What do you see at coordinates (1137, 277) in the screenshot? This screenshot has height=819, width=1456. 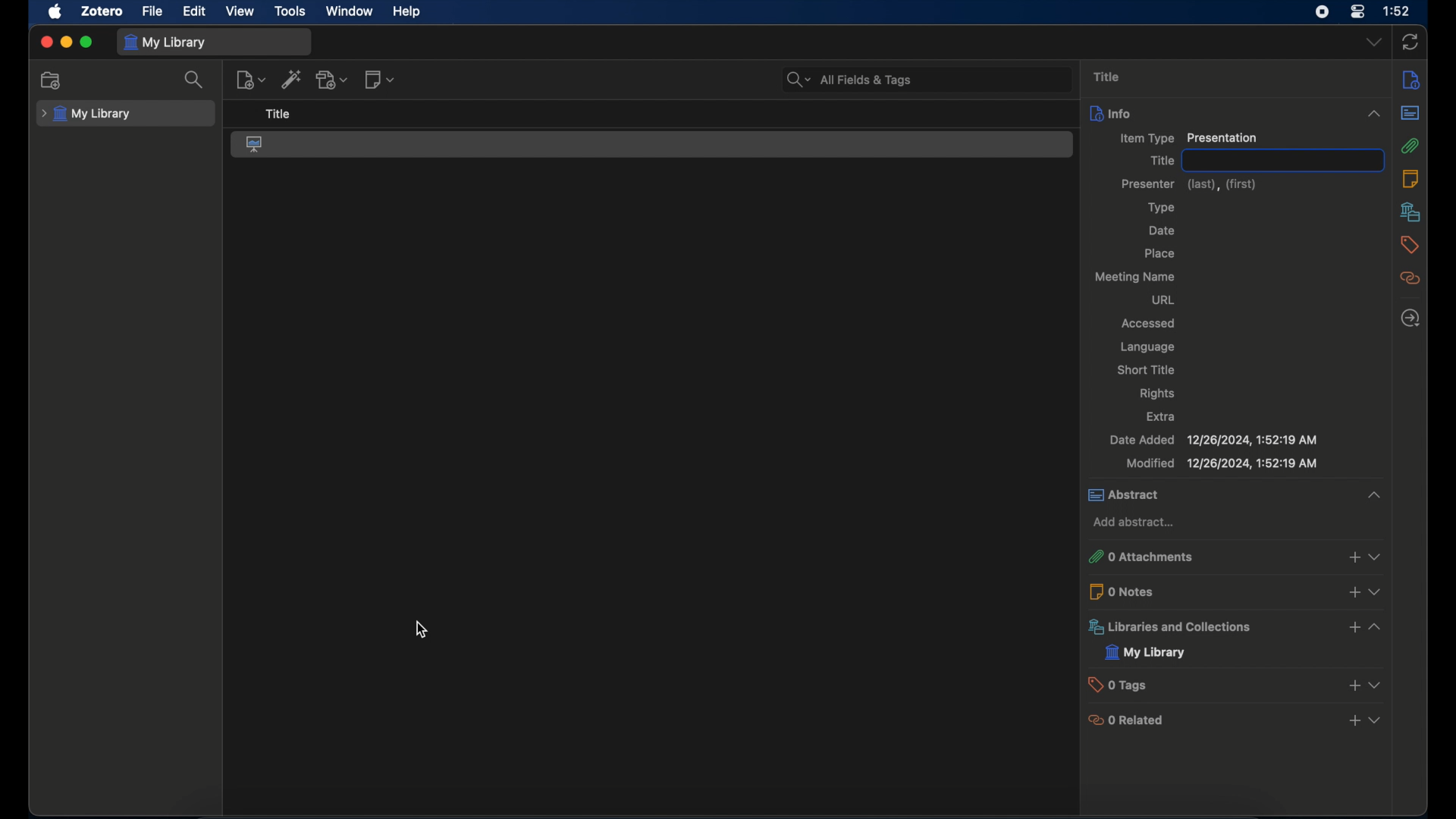 I see `meeting name` at bounding box center [1137, 277].